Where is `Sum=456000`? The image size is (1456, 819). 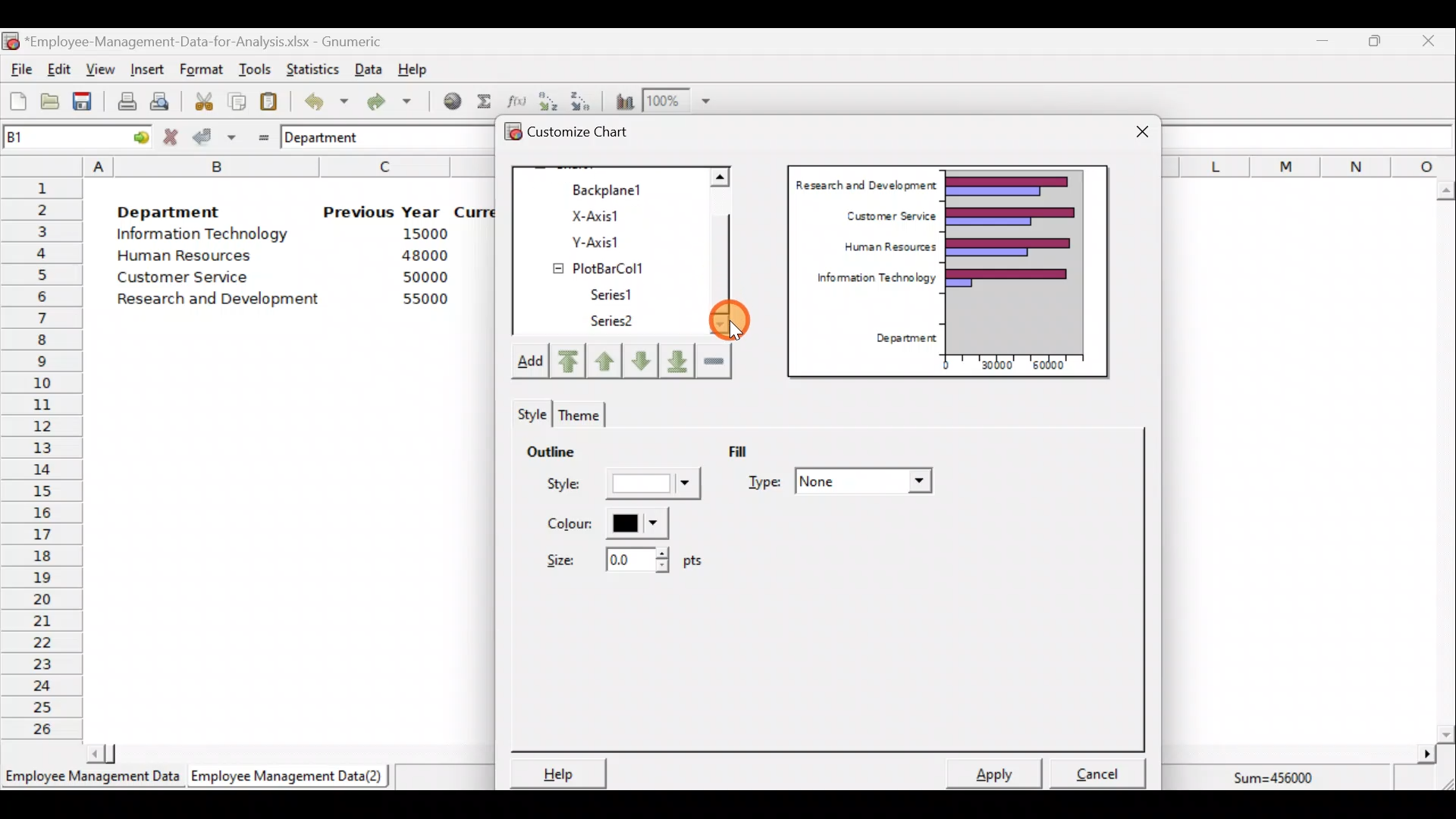 Sum=456000 is located at coordinates (1282, 780).